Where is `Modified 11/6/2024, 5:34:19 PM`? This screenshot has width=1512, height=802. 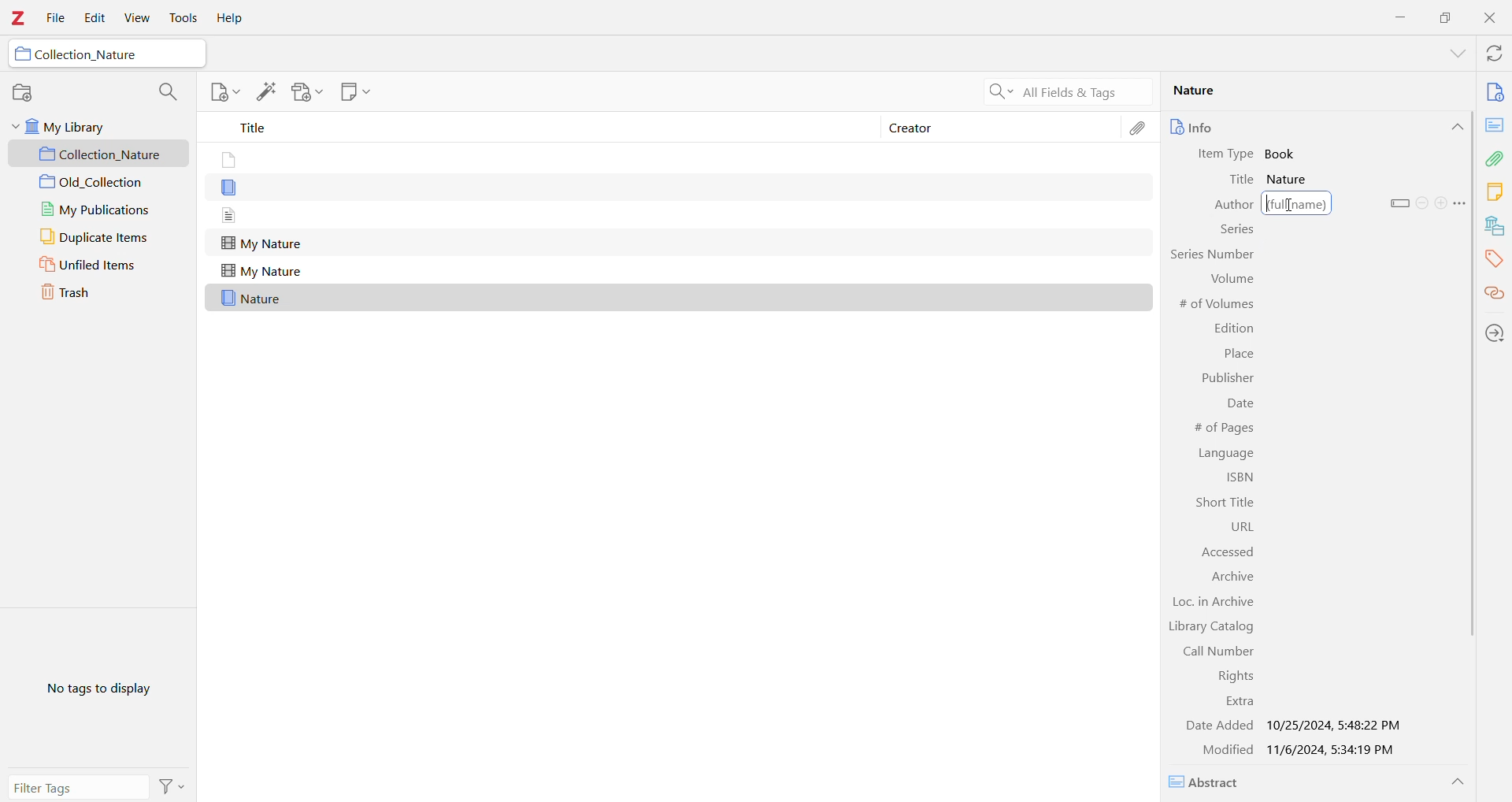
Modified 11/6/2024, 5:34:19 PM is located at coordinates (1302, 751).